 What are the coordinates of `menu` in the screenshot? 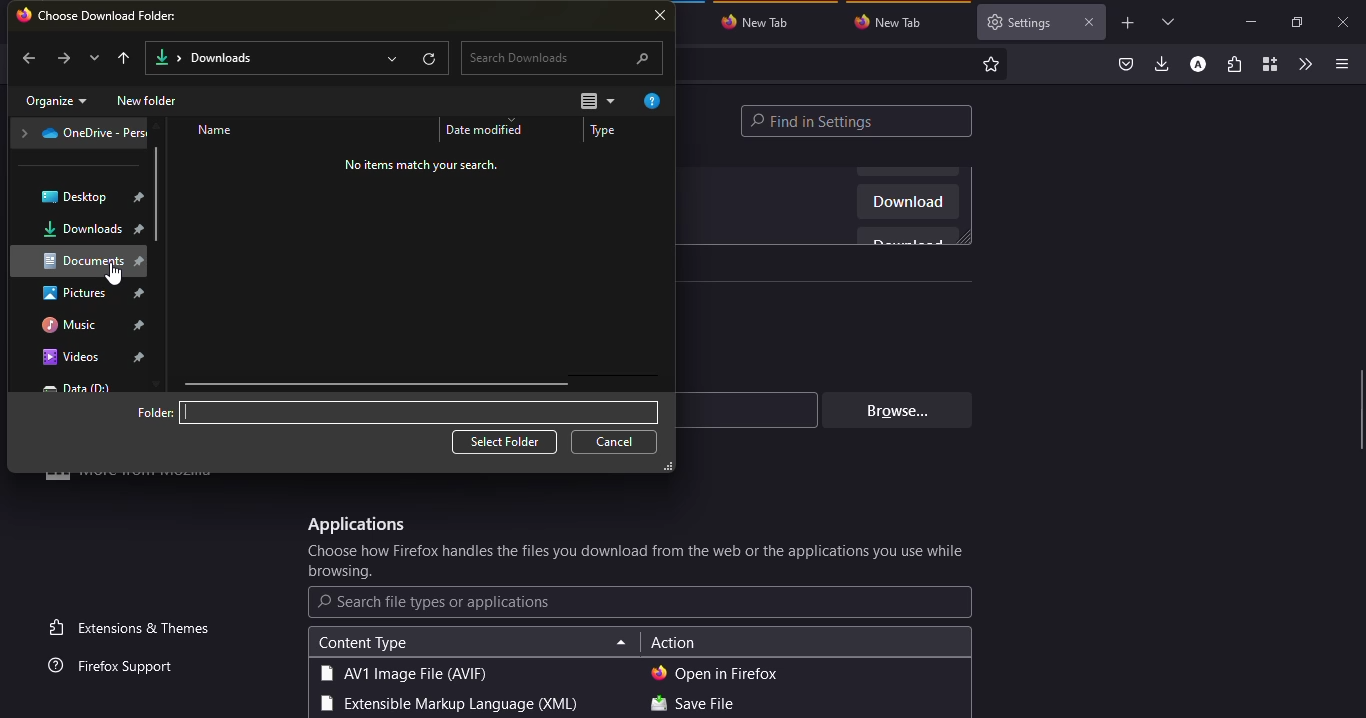 It's located at (1338, 64).